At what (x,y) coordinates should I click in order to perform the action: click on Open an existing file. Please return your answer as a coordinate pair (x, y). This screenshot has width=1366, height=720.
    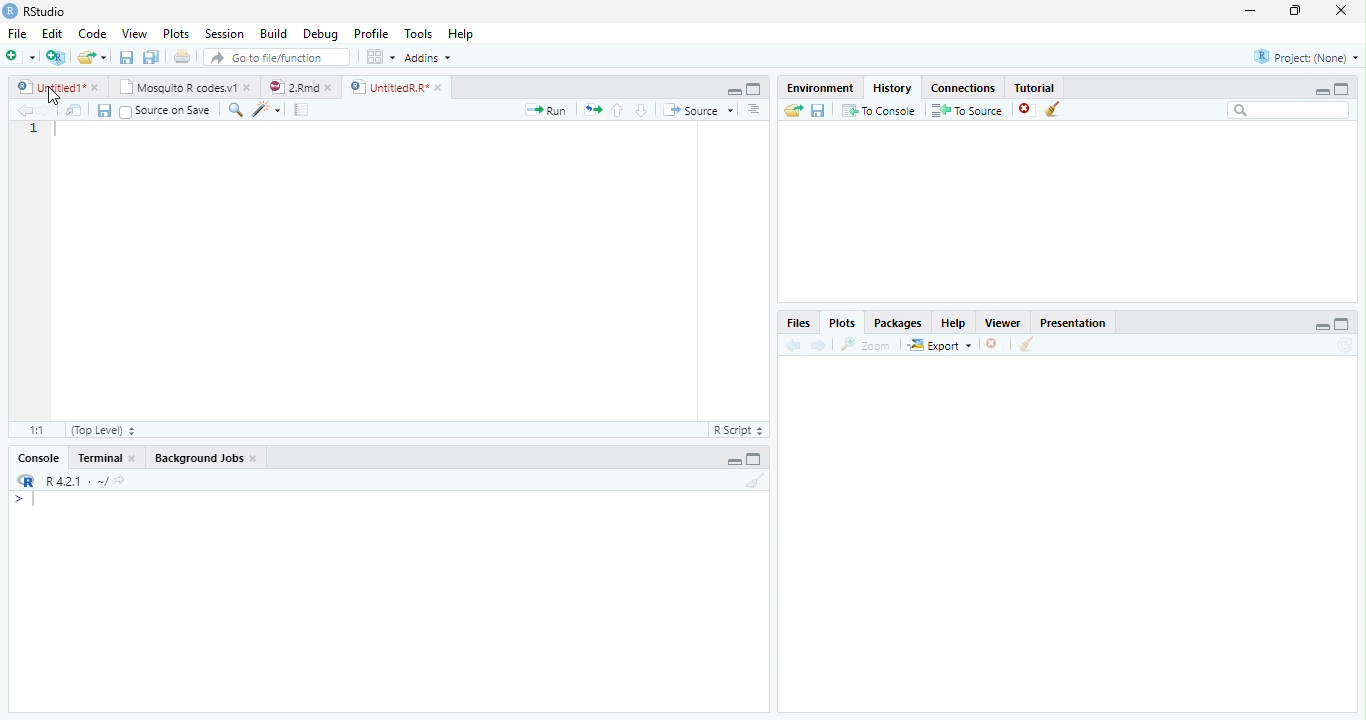
    Looking at the image, I should click on (95, 59).